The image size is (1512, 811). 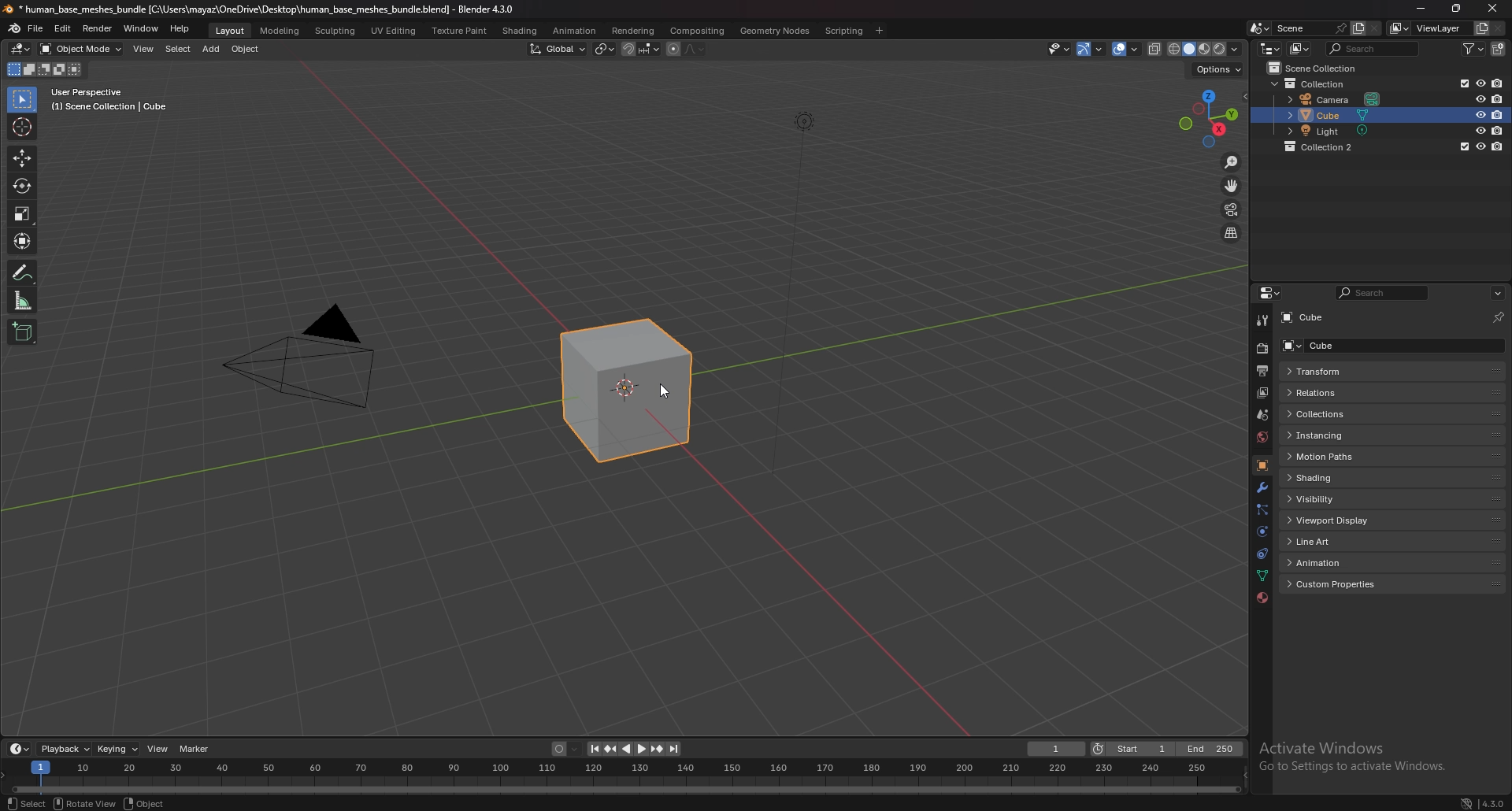 What do you see at coordinates (1231, 234) in the screenshot?
I see `switch view from perspective/orthographic` at bounding box center [1231, 234].